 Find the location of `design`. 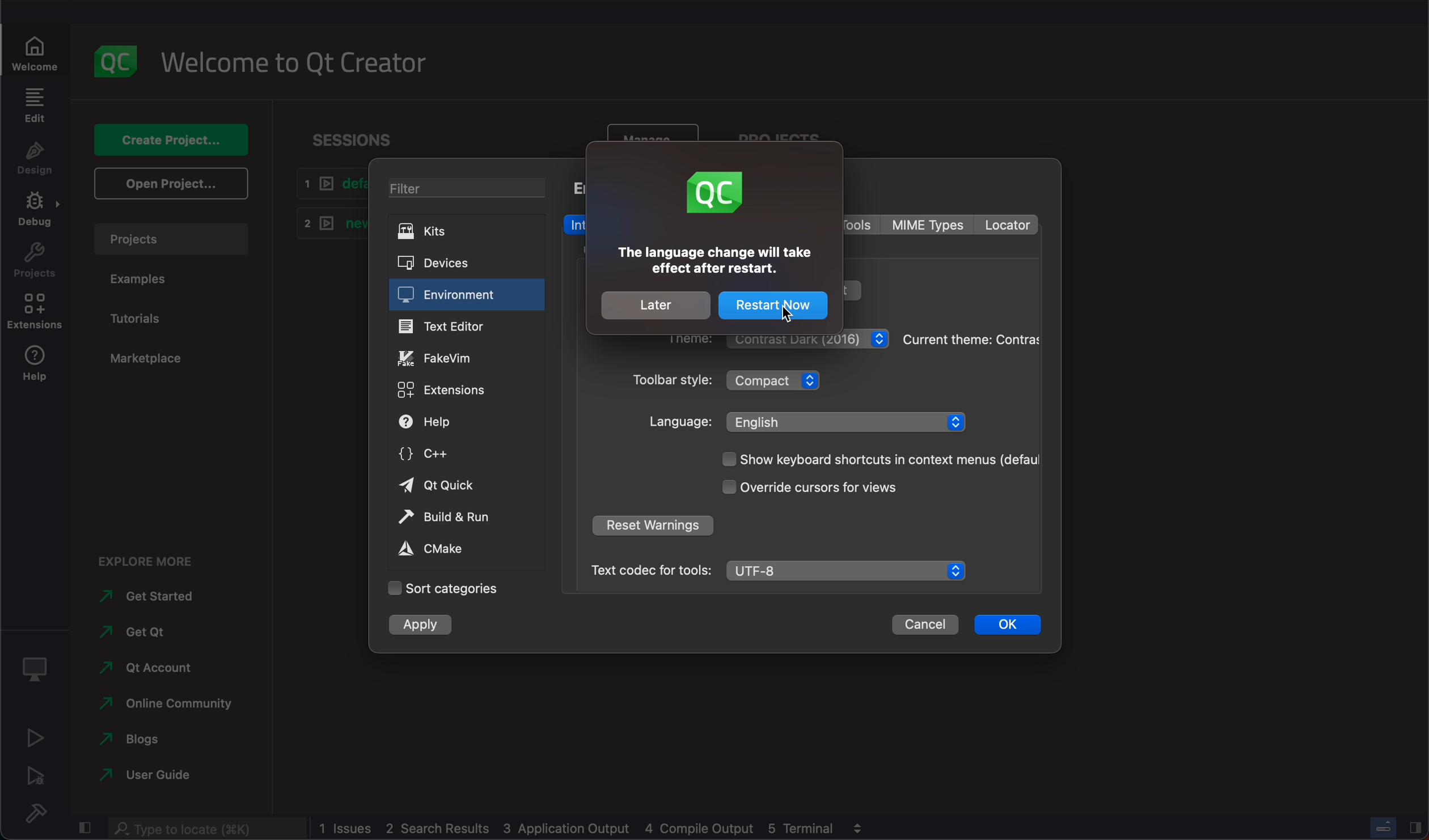

design is located at coordinates (35, 158).